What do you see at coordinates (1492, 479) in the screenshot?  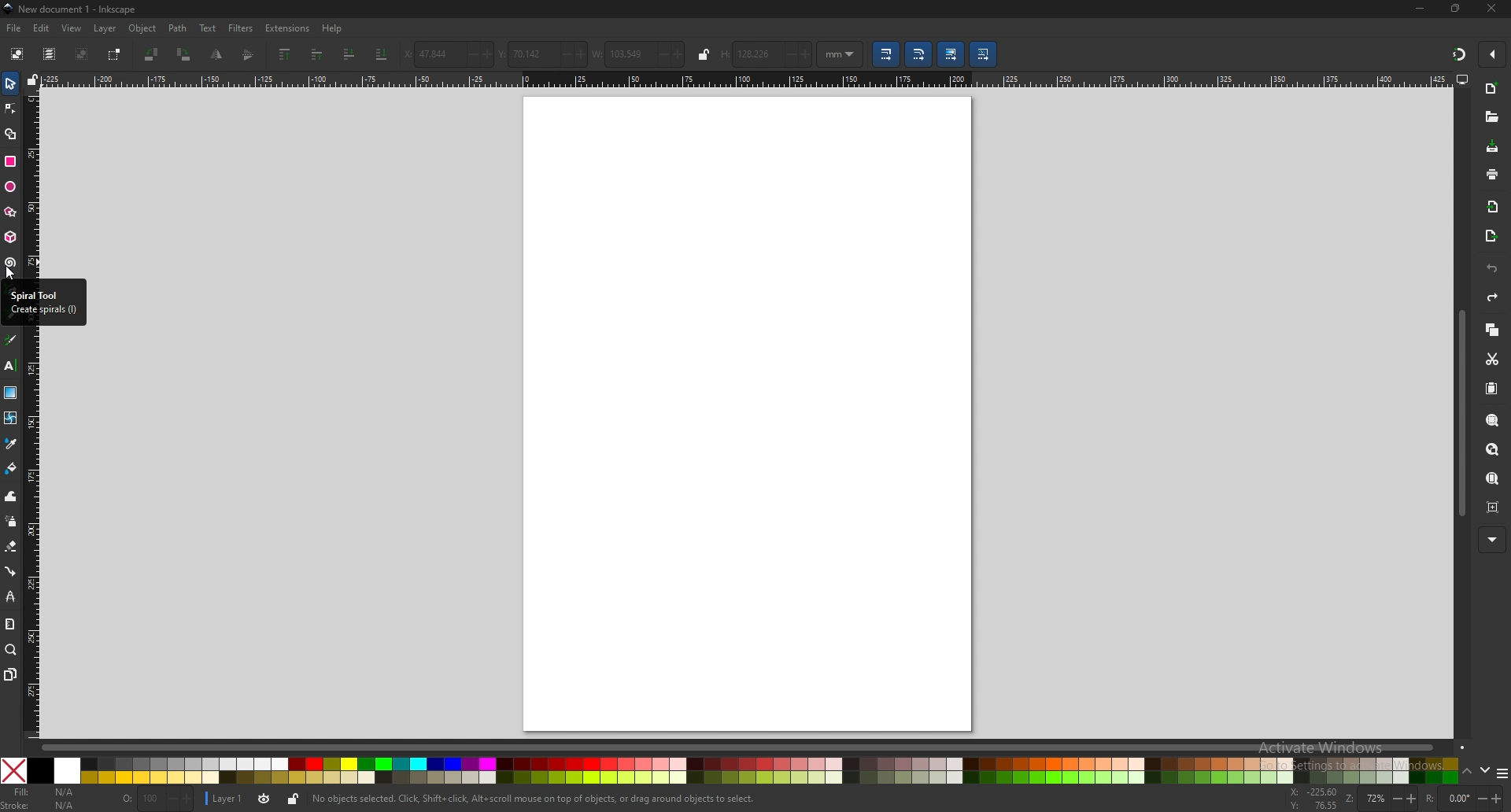 I see `zoom page` at bounding box center [1492, 479].